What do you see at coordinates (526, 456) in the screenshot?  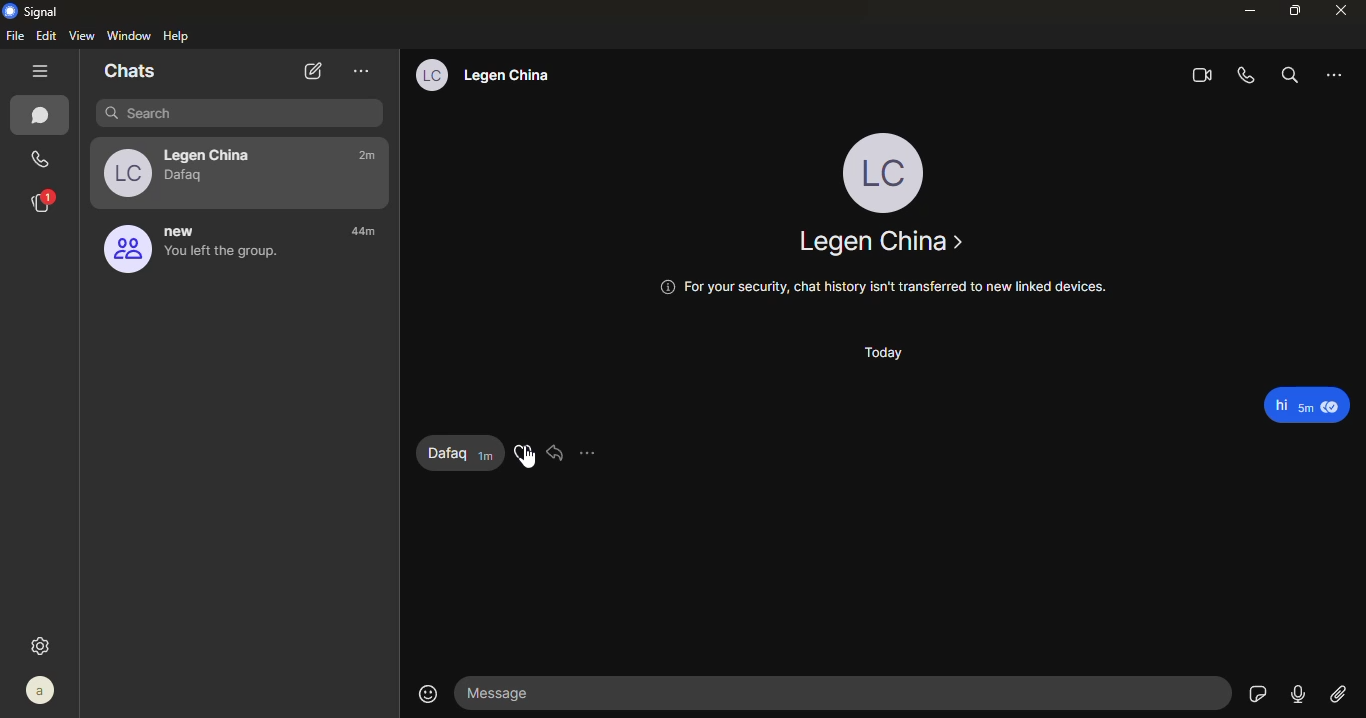 I see `react` at bounding box center [526, 456].